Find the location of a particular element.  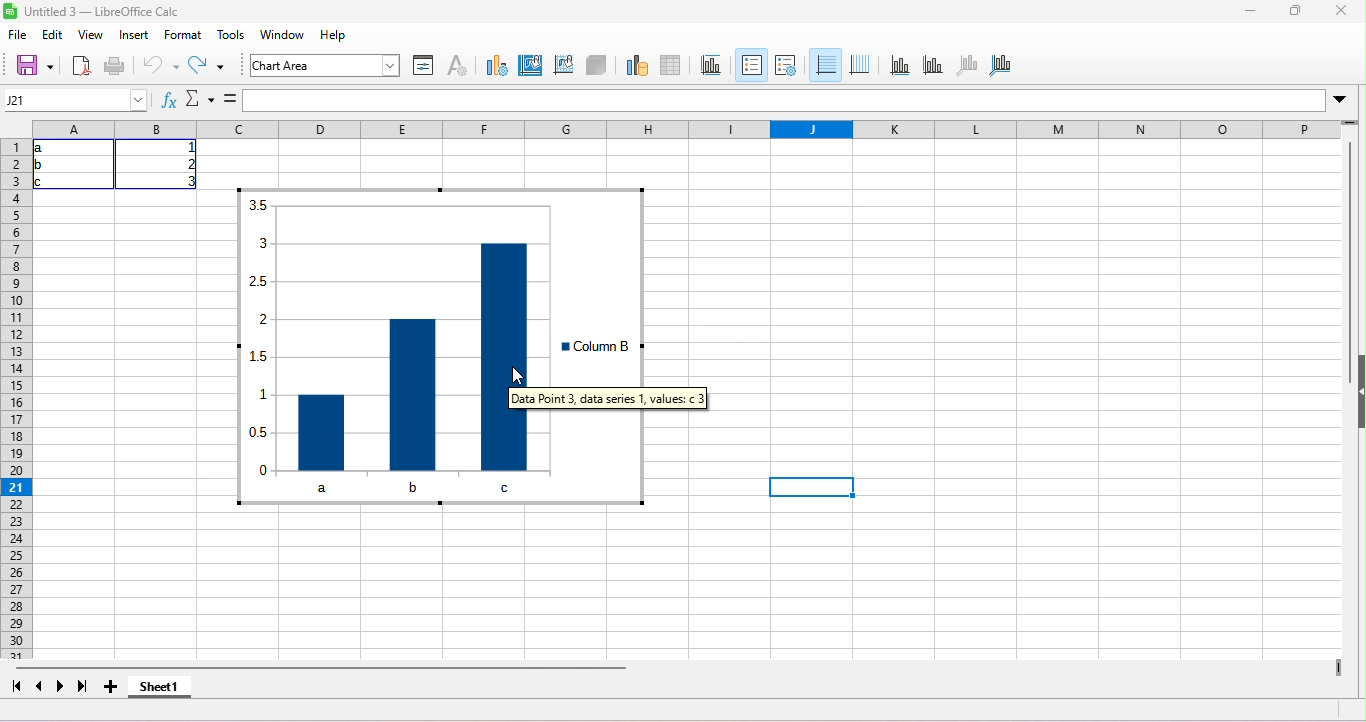

legend is located at coordinates (602, 347).